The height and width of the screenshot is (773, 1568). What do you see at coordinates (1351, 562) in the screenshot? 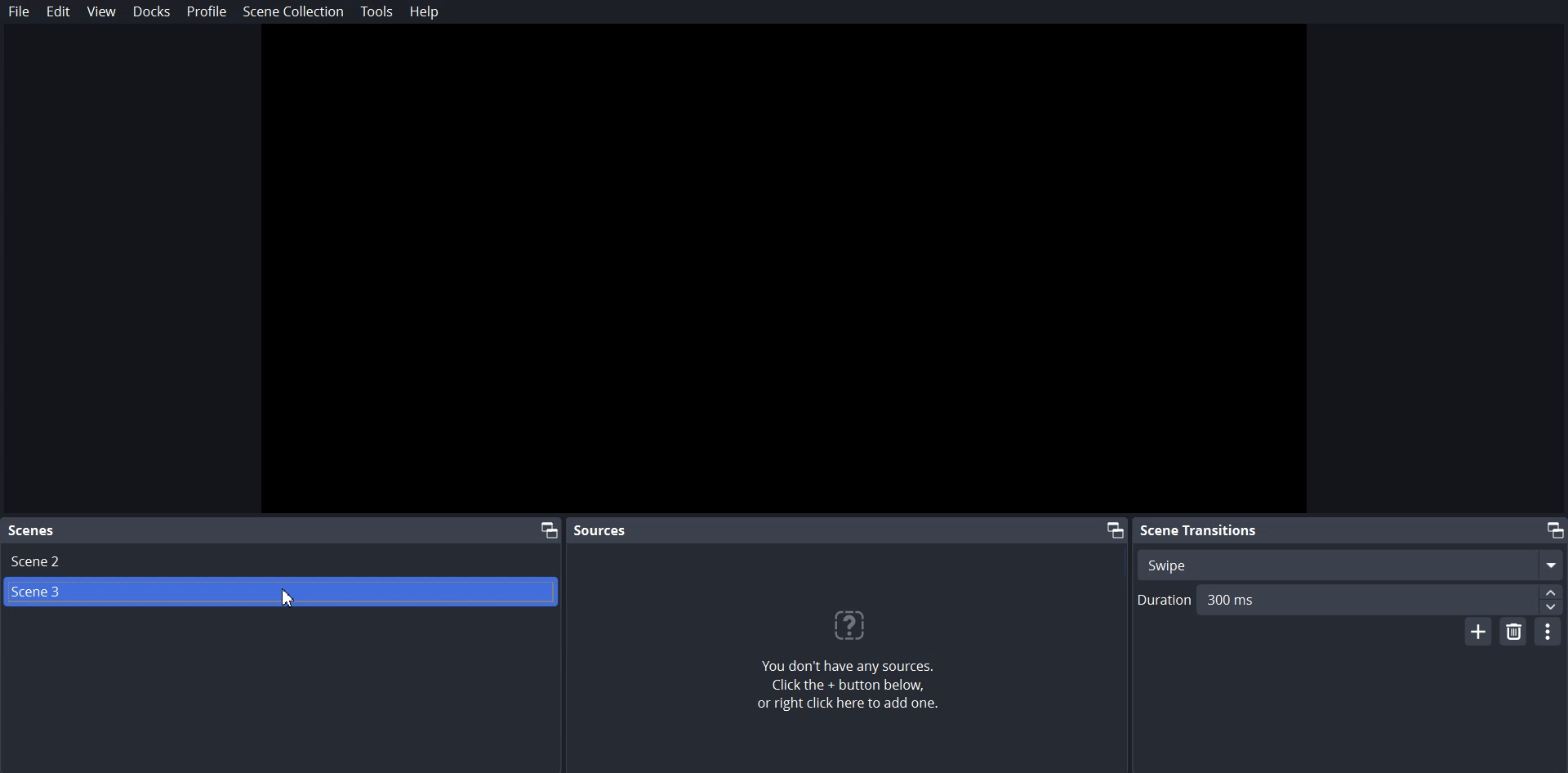
I see `Swipe` at bounding box center [1351, 562].